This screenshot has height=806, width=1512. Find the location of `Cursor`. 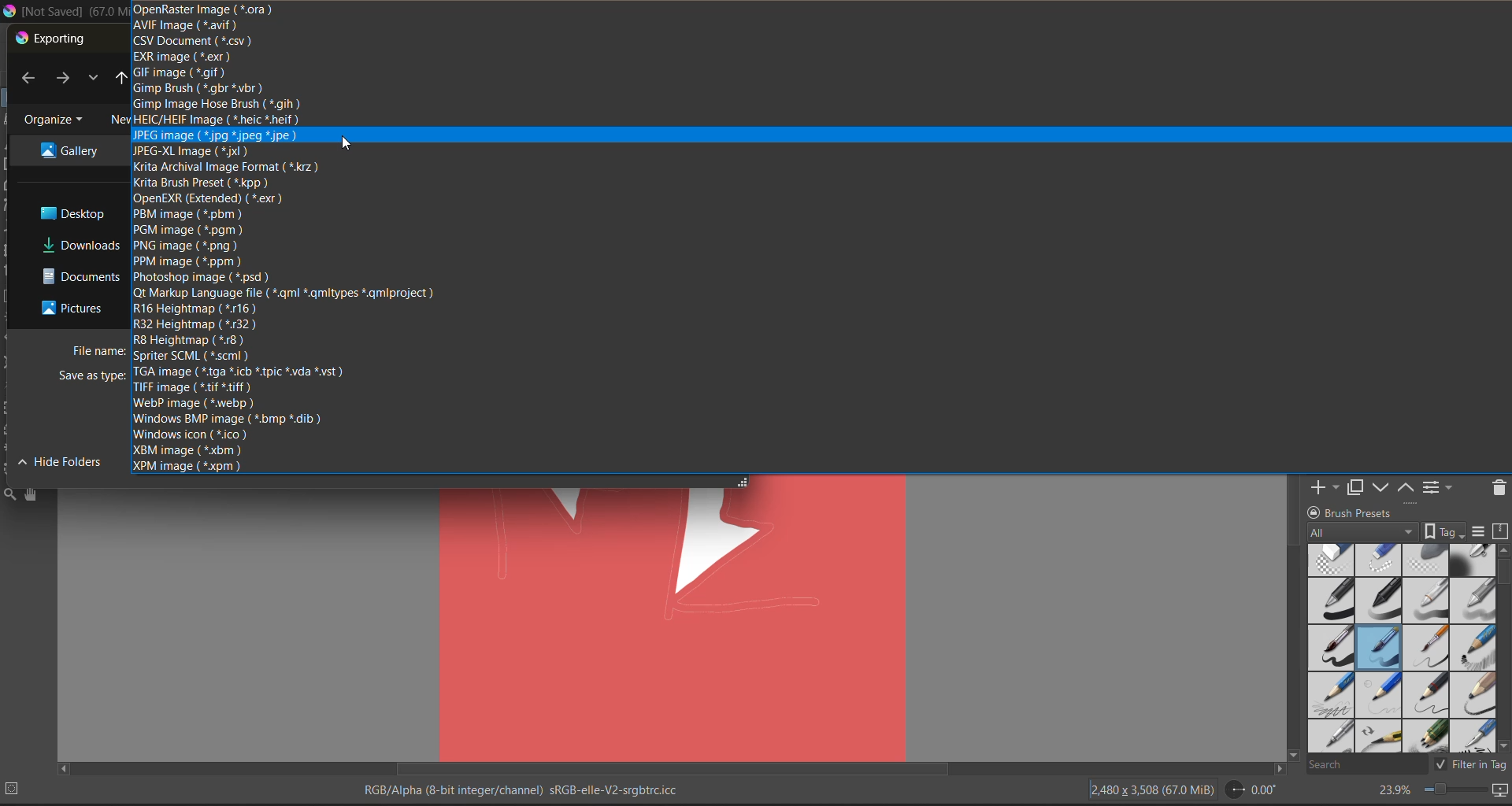

Cursor is located at coordinates (347, 142).